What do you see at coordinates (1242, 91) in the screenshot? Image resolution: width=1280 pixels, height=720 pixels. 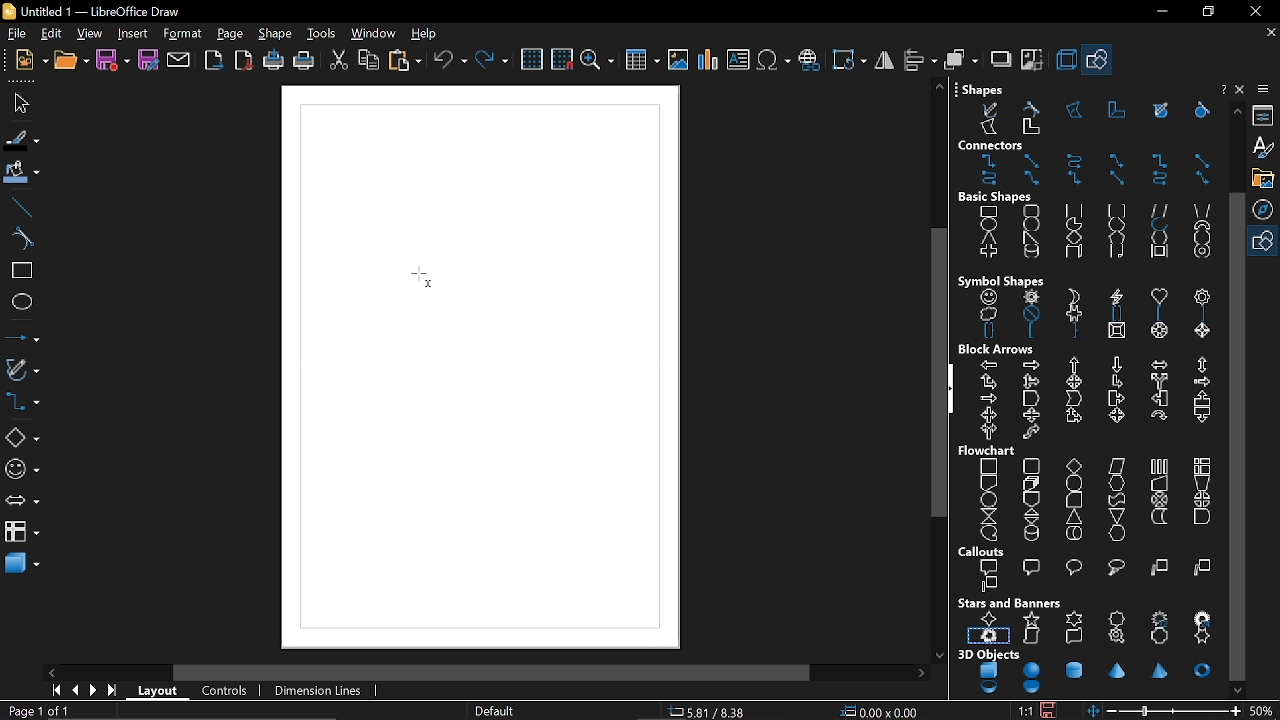 I see `Help` at bounding box center [1242, 91].